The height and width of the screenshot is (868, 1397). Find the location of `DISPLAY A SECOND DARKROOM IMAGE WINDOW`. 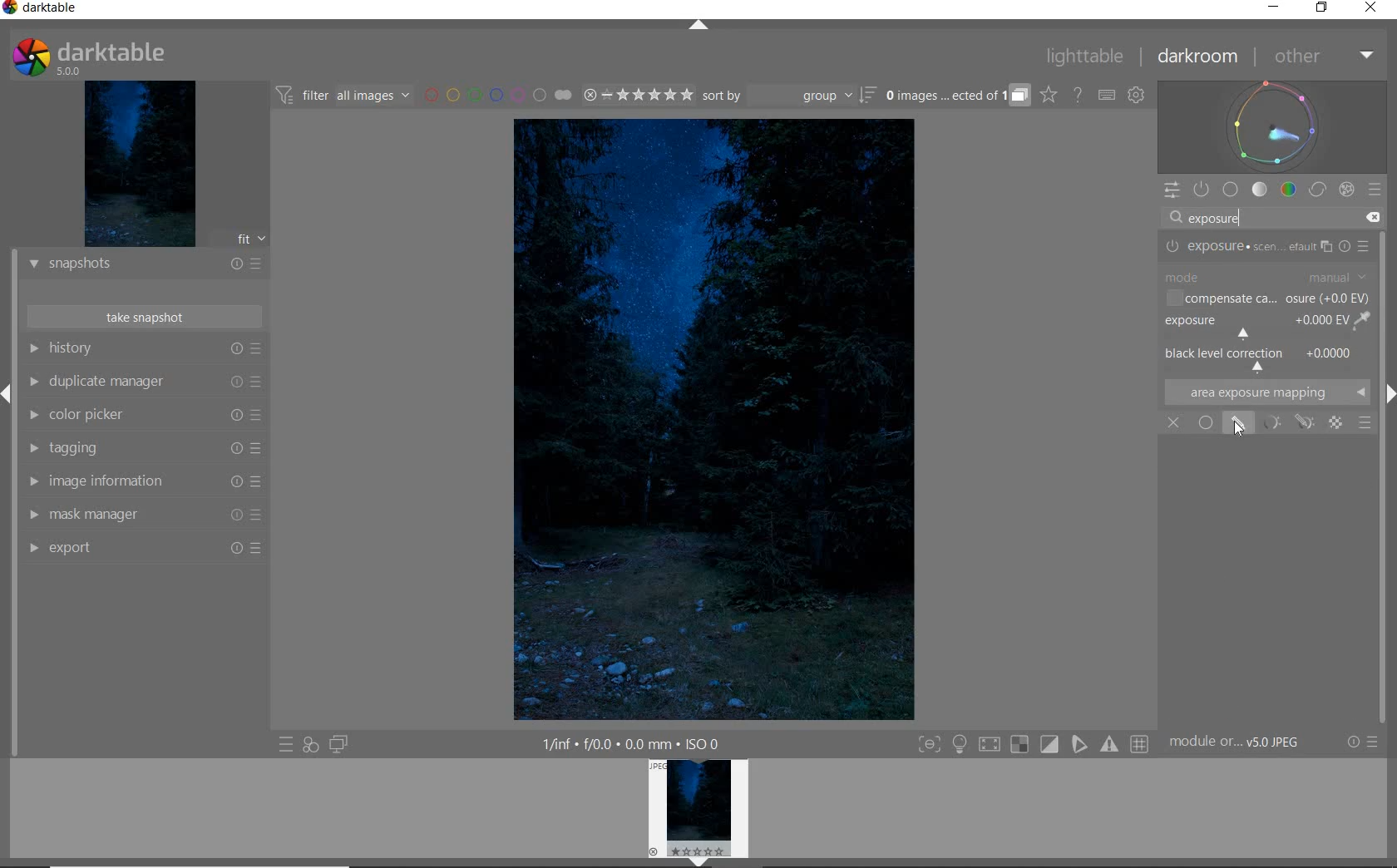

DISPLAY A SECOND DARKROOM IMAGE WINDOW is located at coordinates (342, 744).